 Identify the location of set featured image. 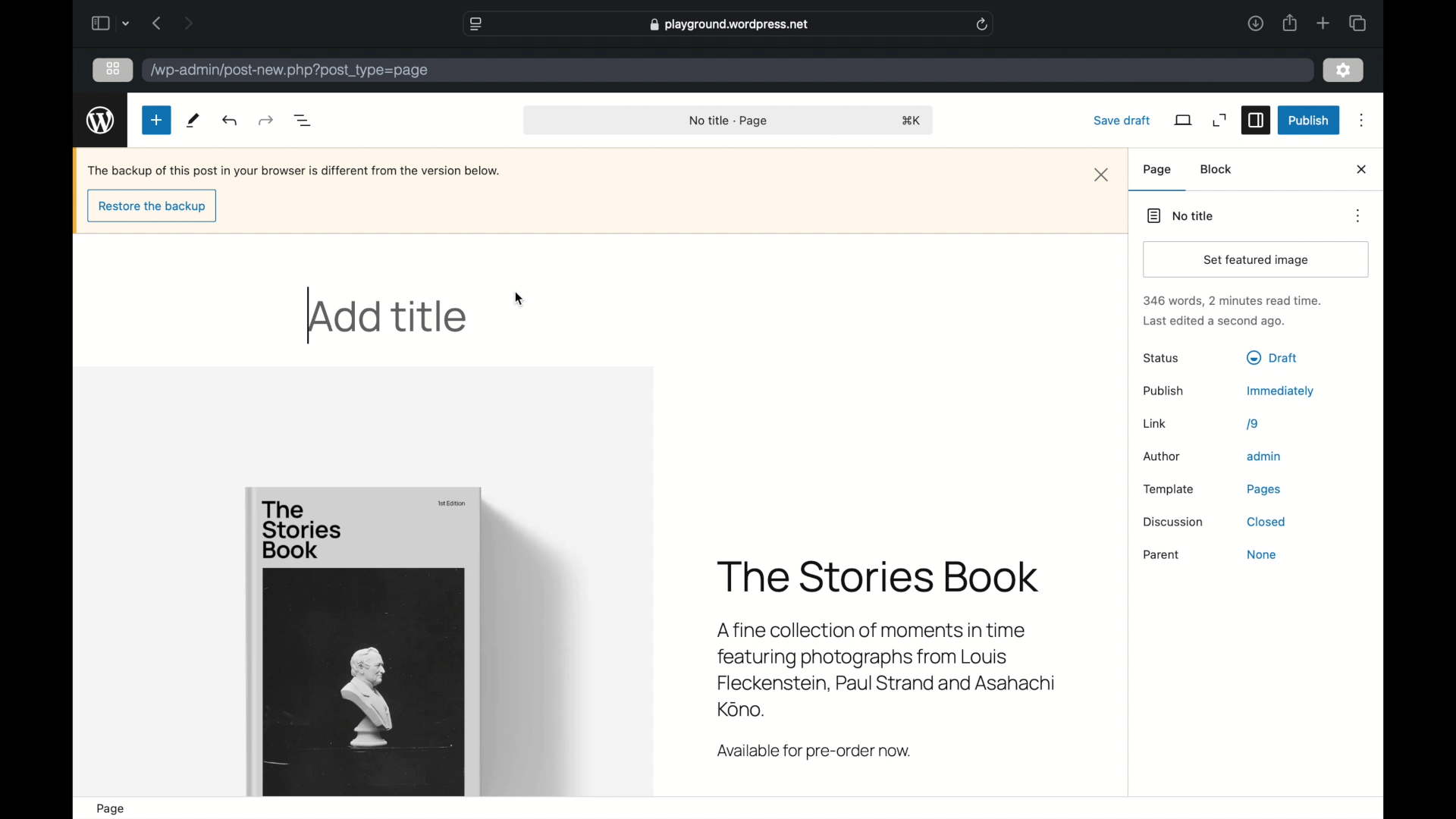
(1258, 260).